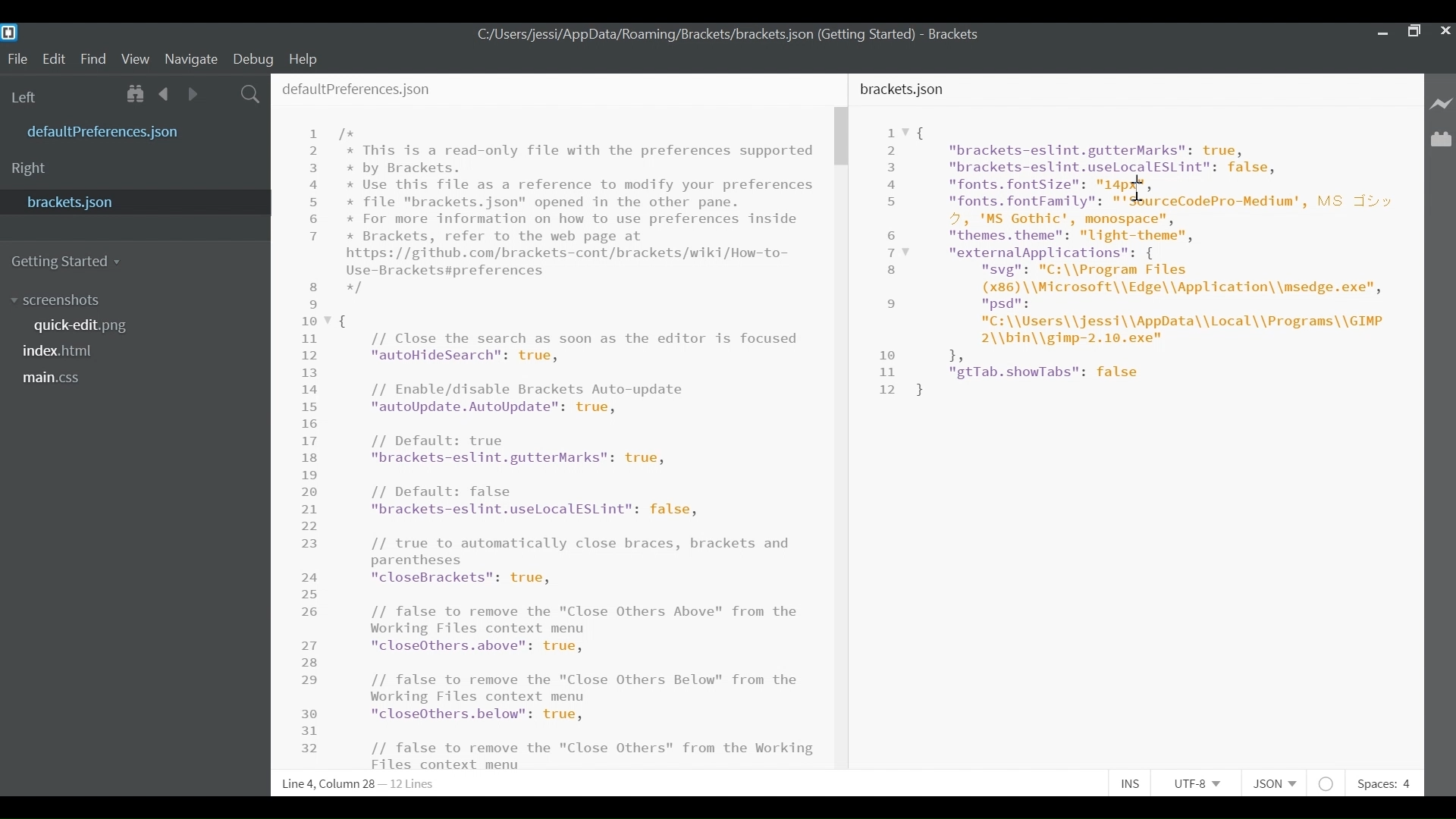 The image size is (1456, 819). Describe the element at coordinates (249, 94) in the screenshot. I see `Search icon` at that location.